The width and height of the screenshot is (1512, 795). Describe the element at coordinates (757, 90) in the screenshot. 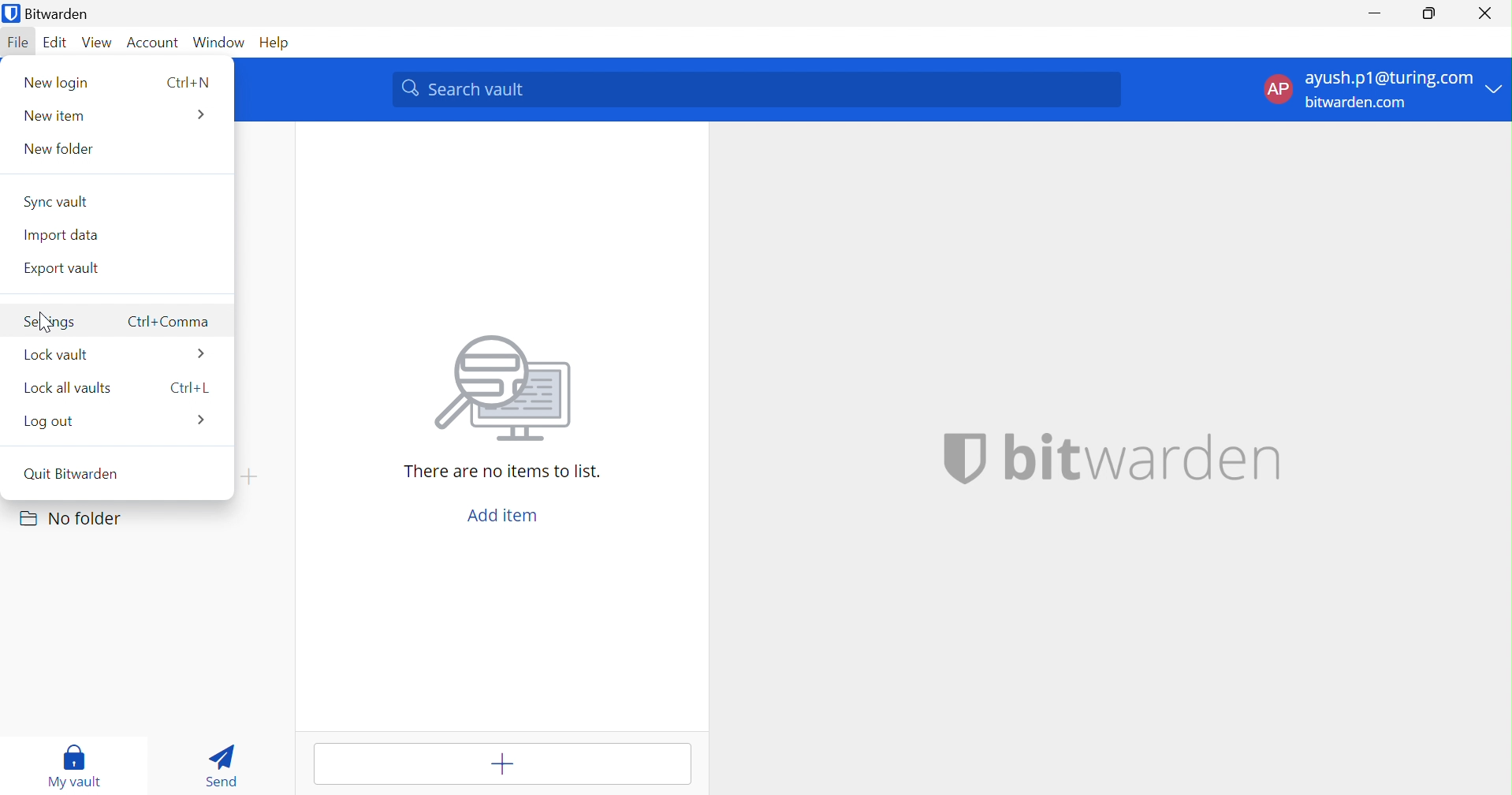

I see `Search vault` at that location.